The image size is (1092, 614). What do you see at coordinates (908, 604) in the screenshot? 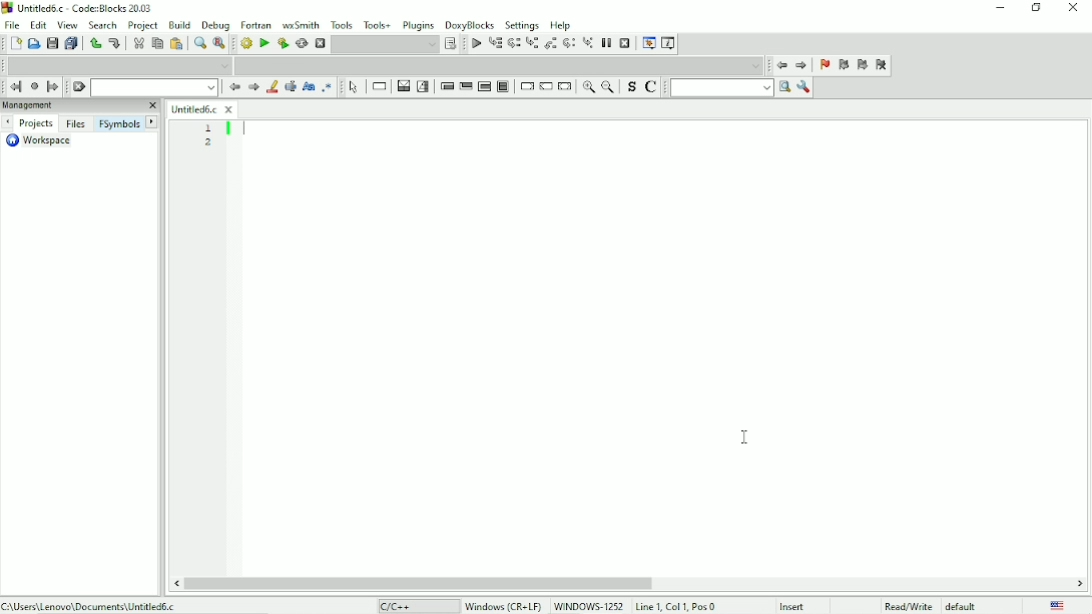
I see `Read/Write` at bounding box center [908, 604].